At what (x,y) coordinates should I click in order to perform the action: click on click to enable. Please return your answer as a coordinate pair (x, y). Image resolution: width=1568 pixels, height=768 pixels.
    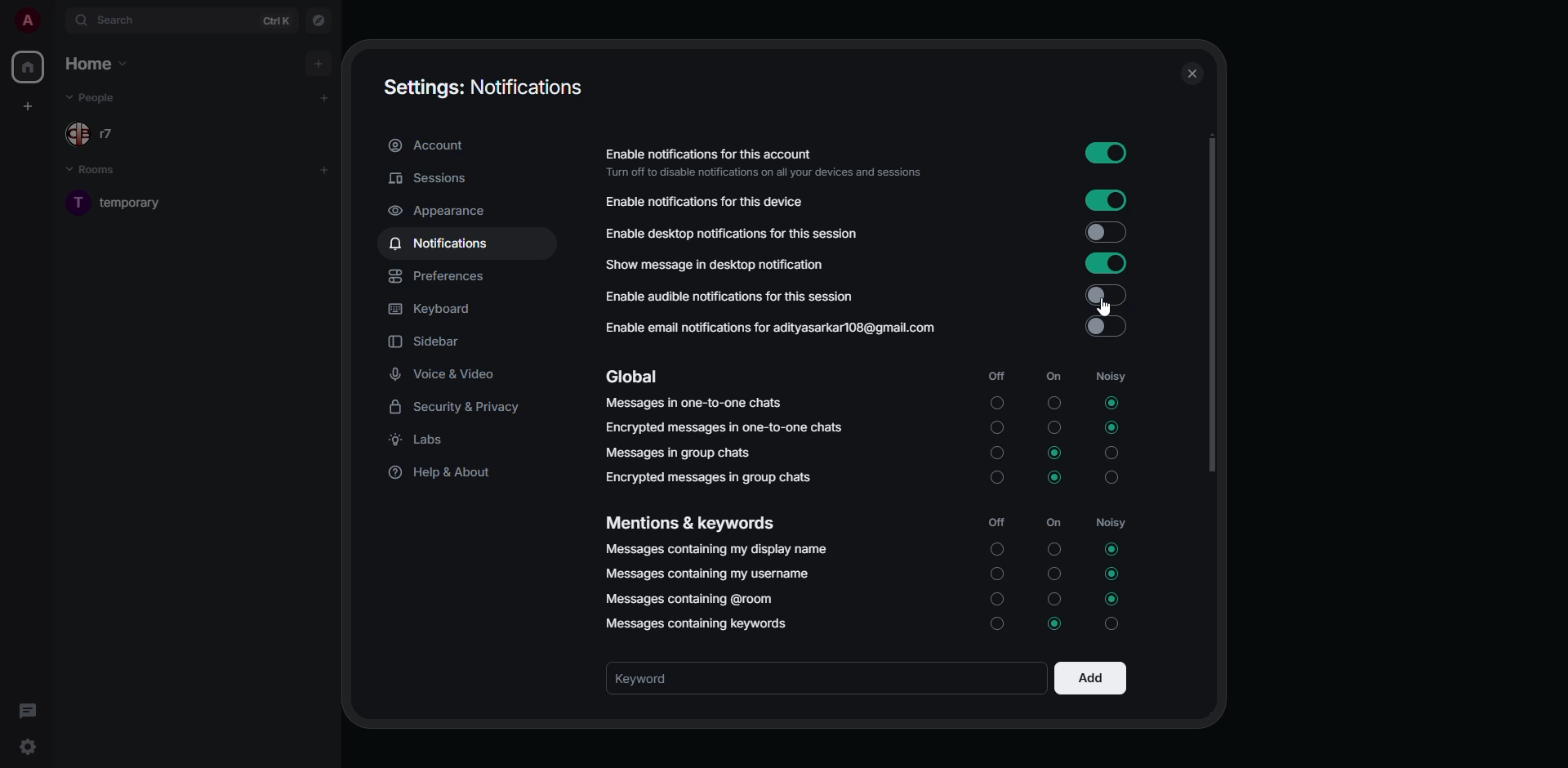
    Looking at the image, I should click on (1104, 328).